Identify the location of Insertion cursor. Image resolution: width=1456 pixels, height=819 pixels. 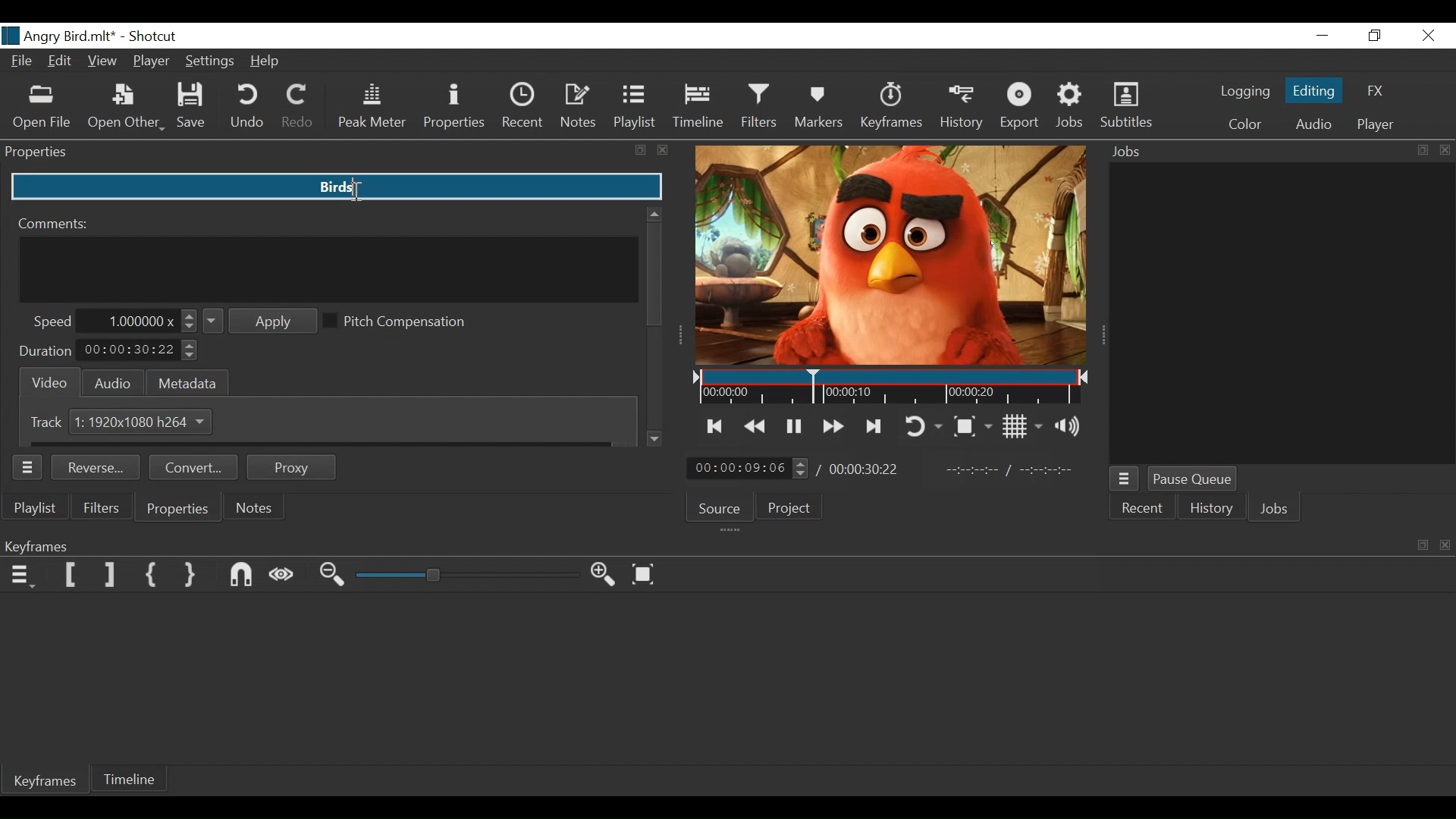
(815, 388).